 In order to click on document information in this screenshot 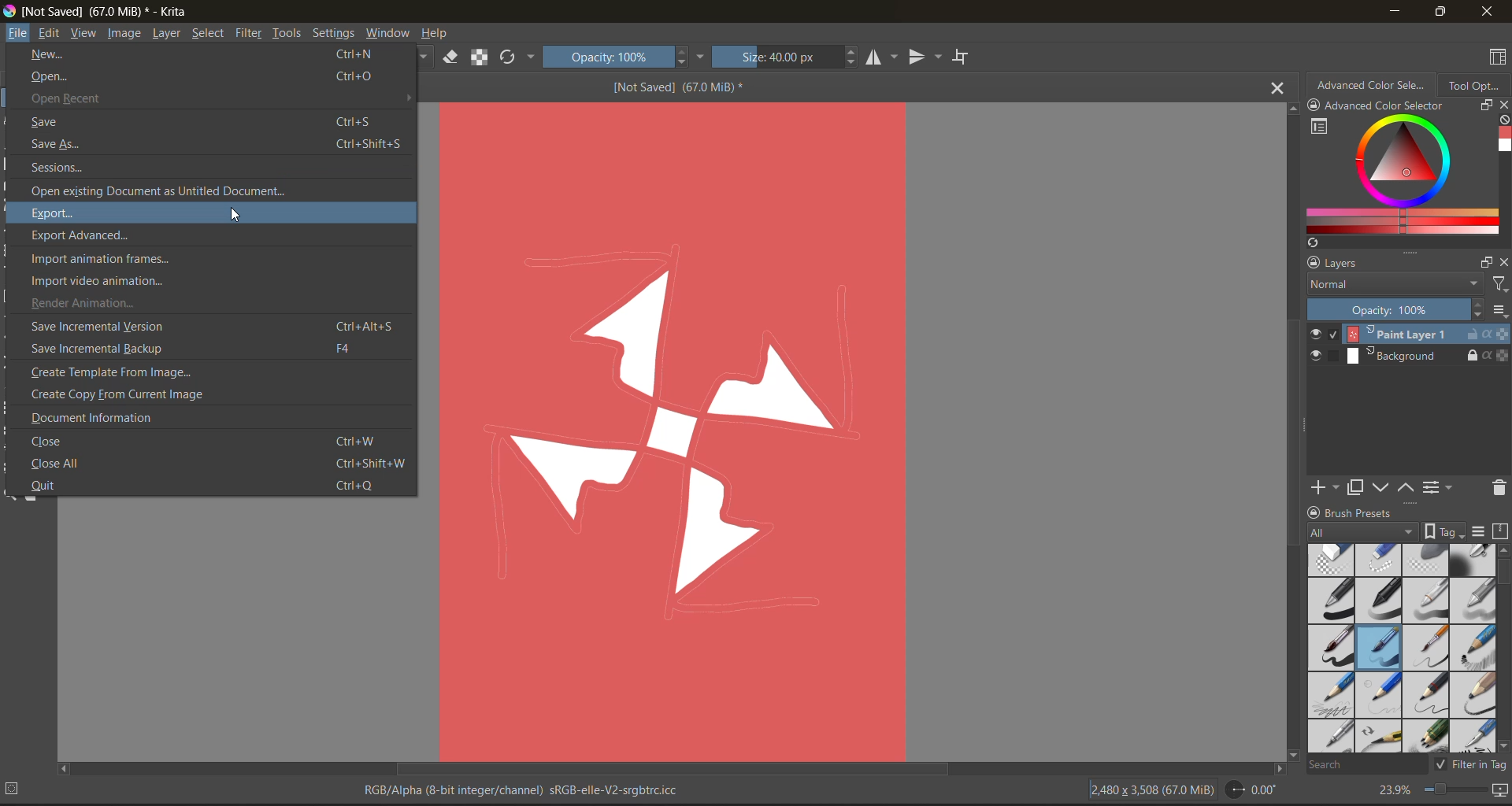, I will do `click(211, 417)`.